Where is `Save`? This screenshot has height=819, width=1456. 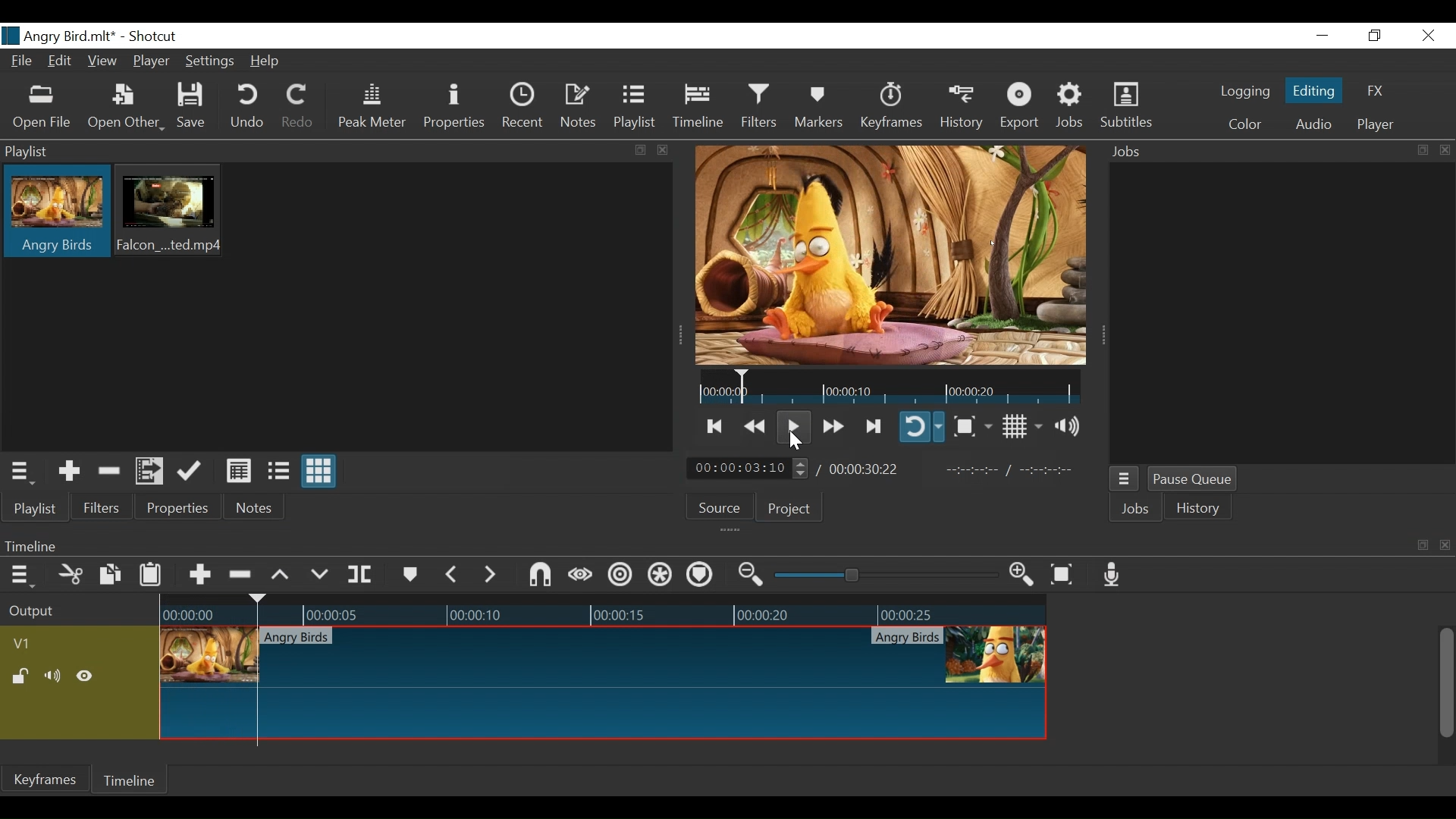
Save is located at coordinates (196, 108).